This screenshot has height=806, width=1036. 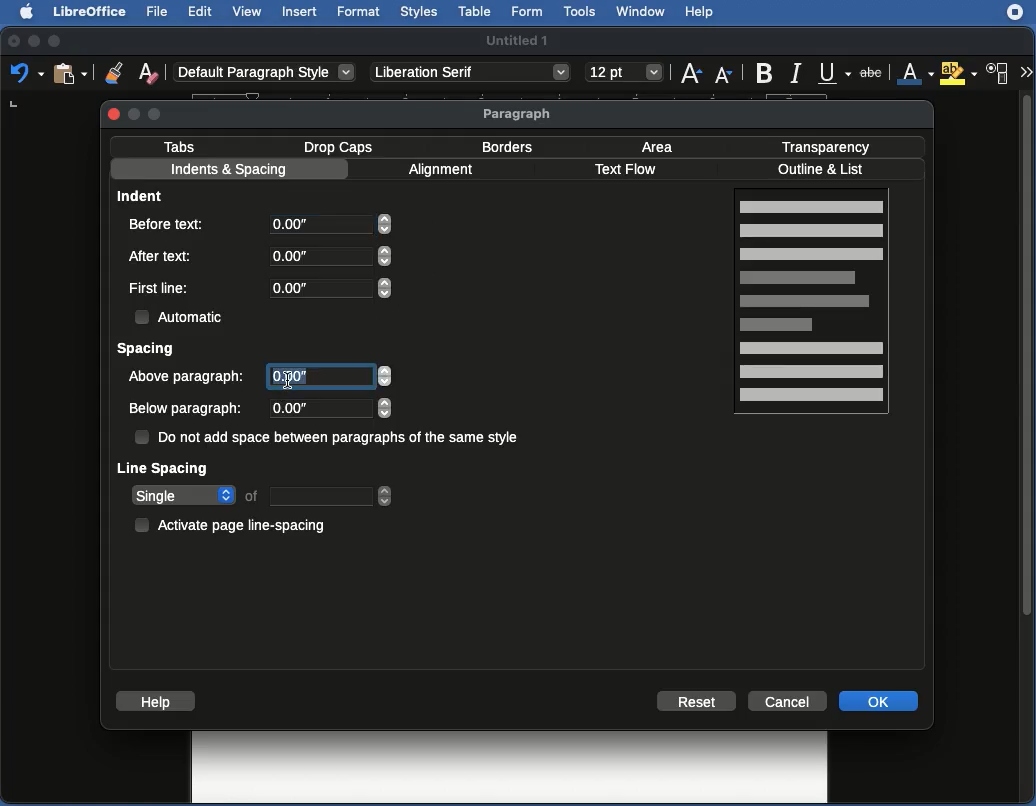 I want to click on Alignment, so click(x=444, y=172).